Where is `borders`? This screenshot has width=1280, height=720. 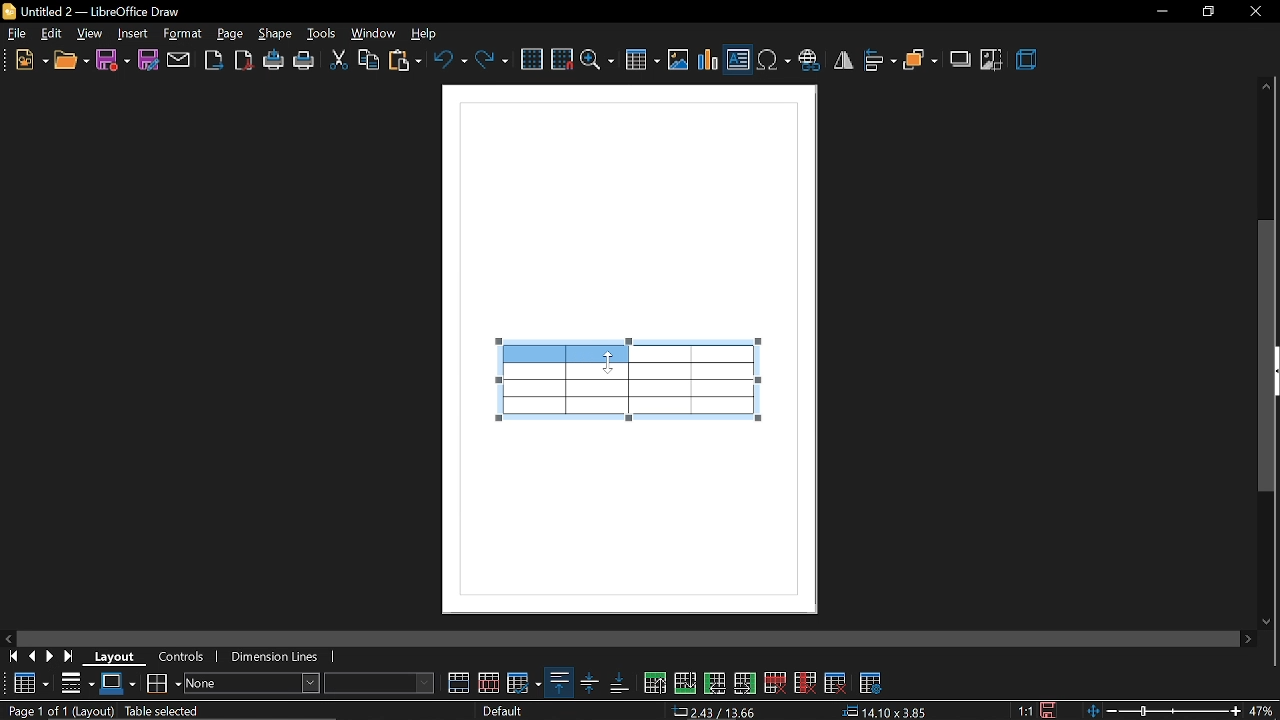 borders is located at coordinates (163, 682).